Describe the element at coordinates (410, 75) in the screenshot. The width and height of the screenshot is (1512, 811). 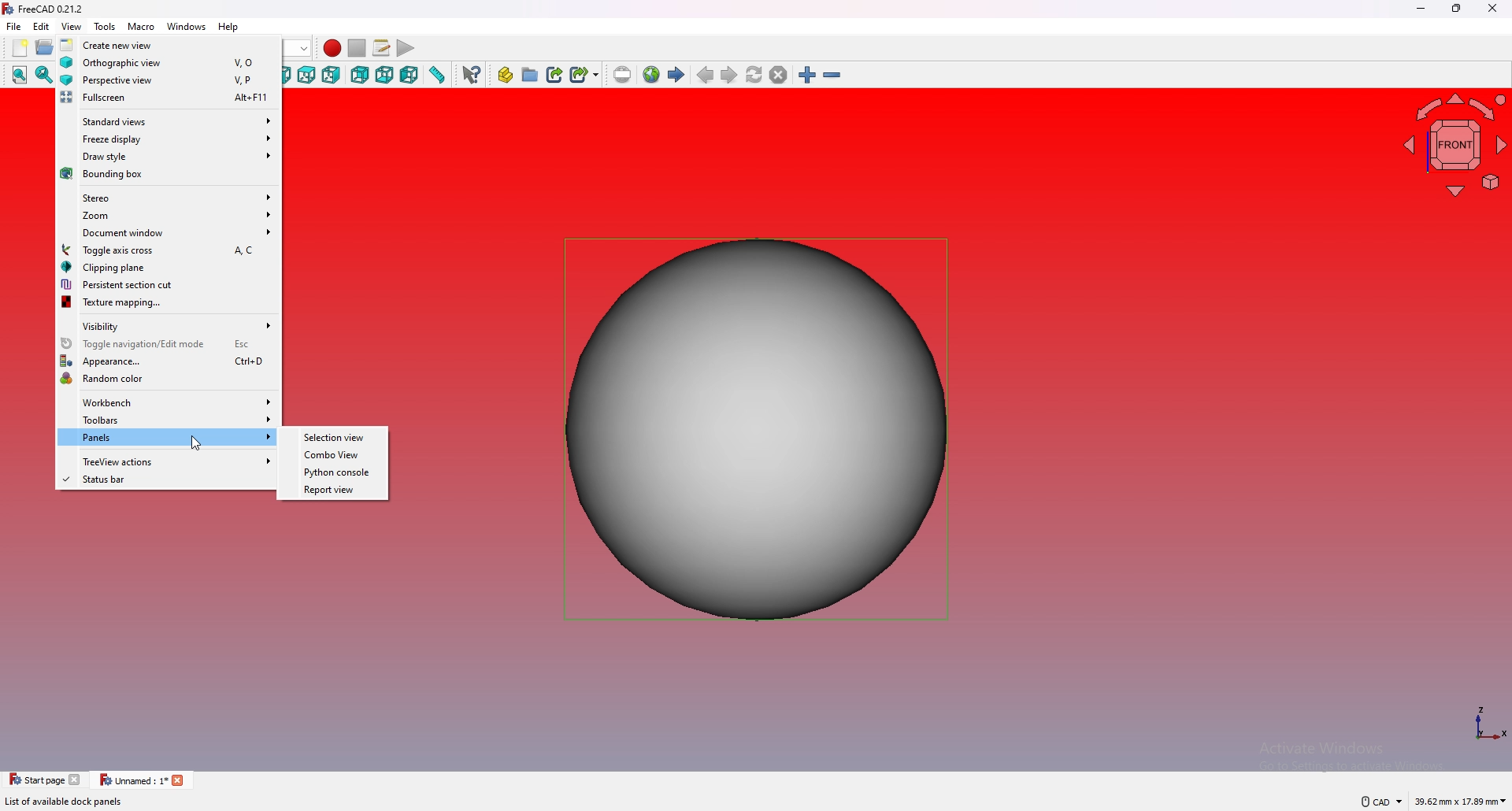
I see `left` at that location.